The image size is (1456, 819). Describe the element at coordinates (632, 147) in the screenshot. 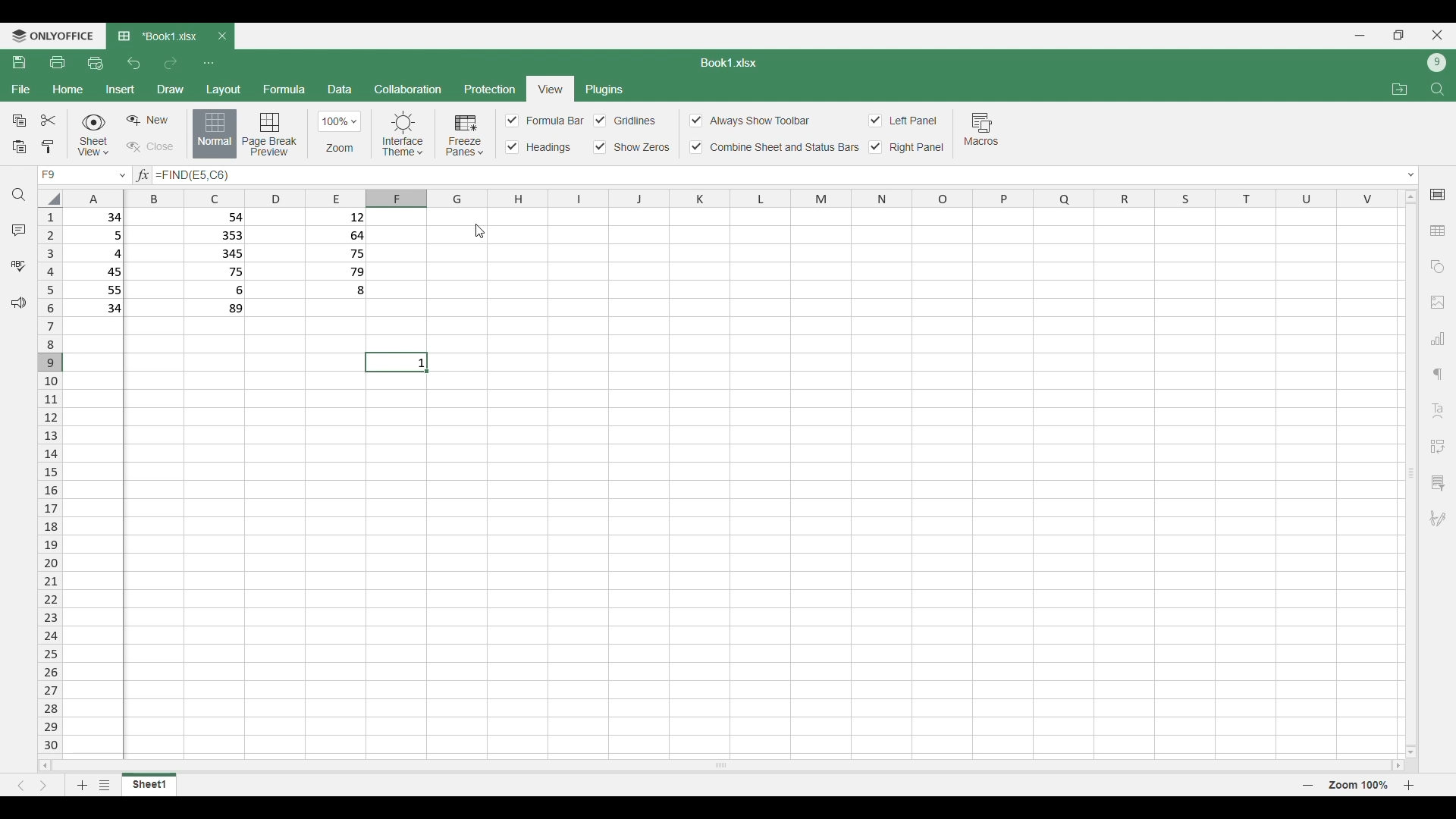

I see `` at that location.